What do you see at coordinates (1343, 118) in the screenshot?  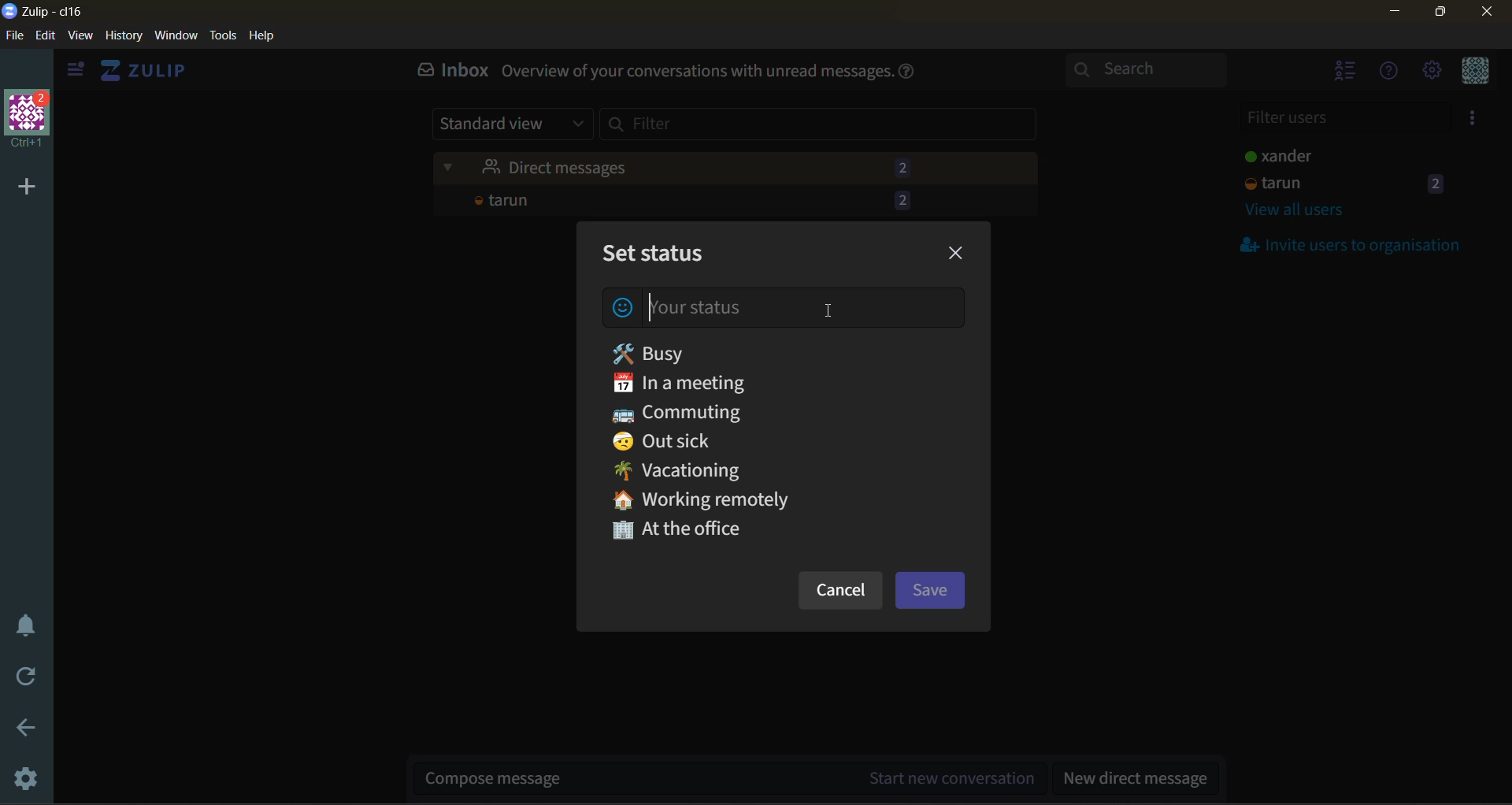 I see `filter users` at bounding box center [1343, 118].